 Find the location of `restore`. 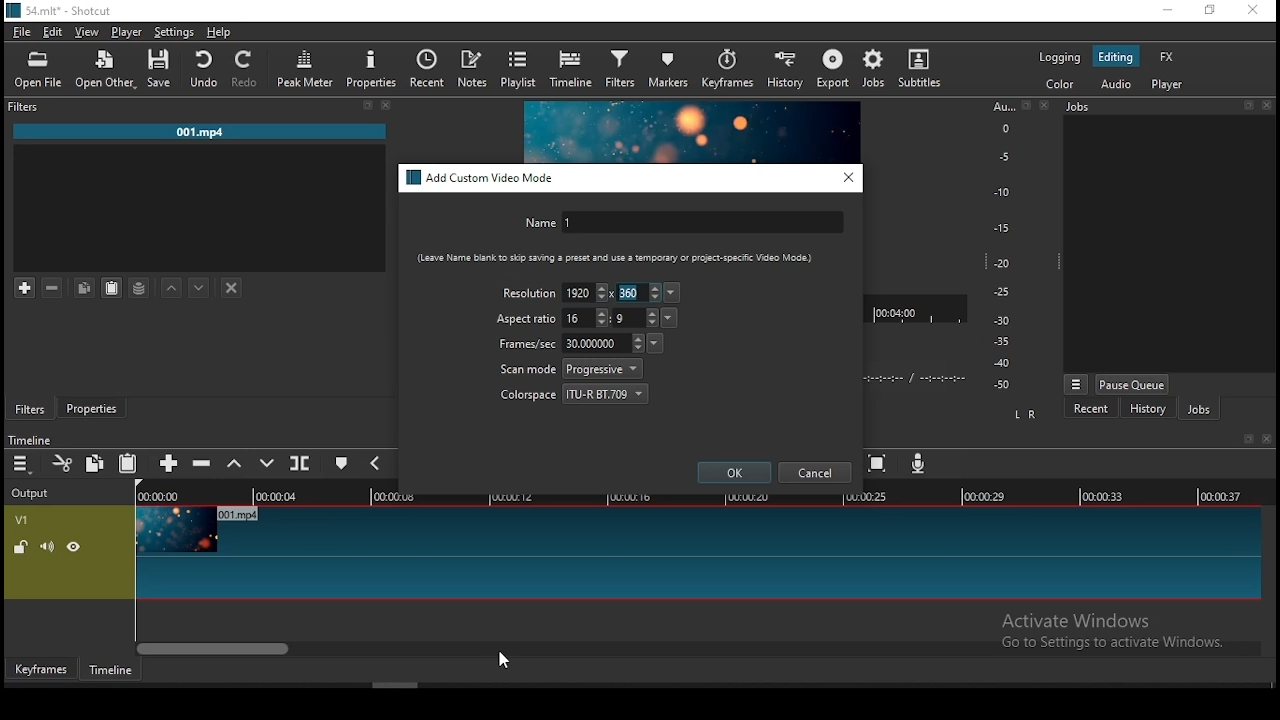

restore is located at coordinates (1026, 106).